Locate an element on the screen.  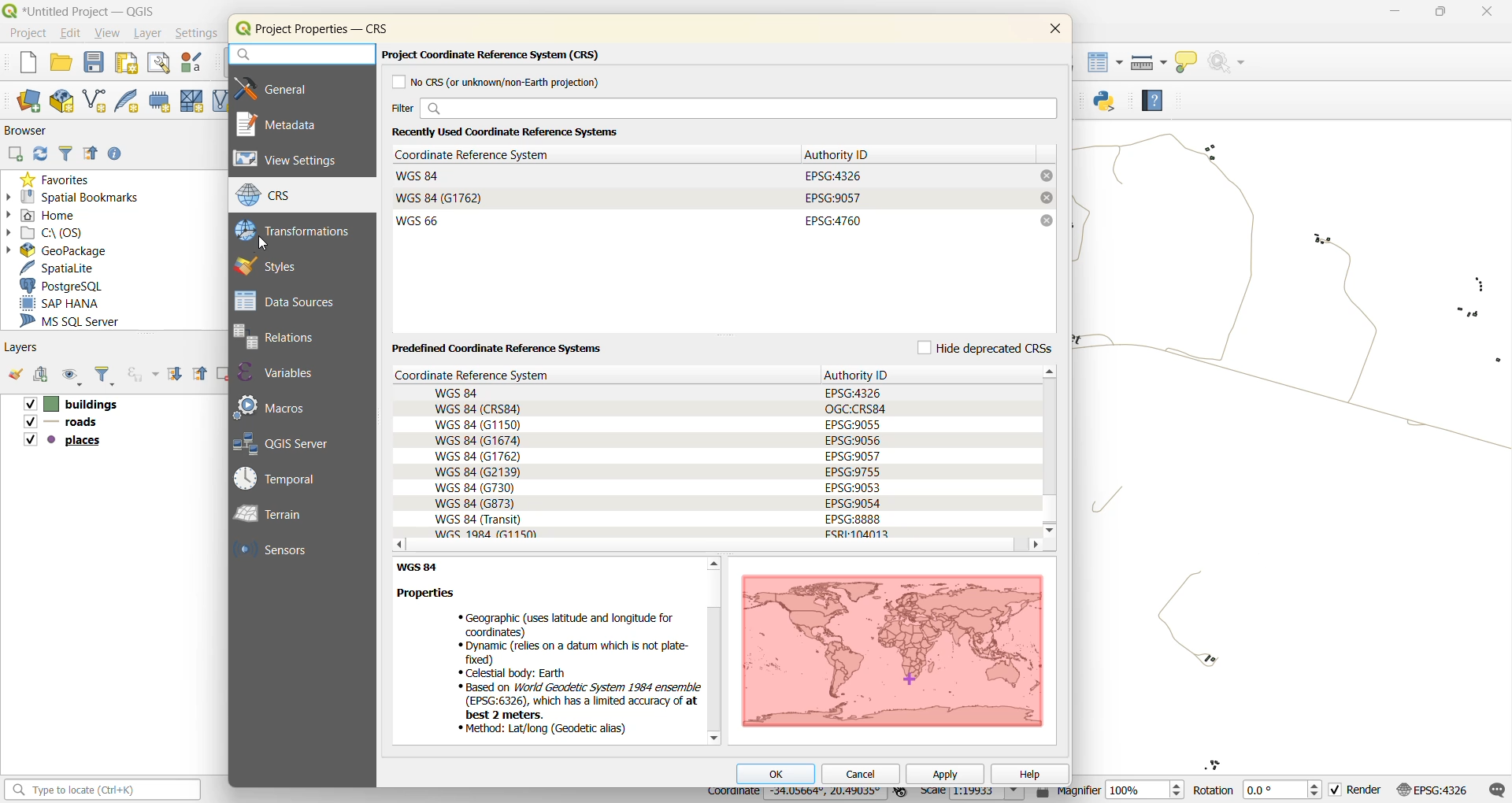
open is located at coordinates (63, 61).